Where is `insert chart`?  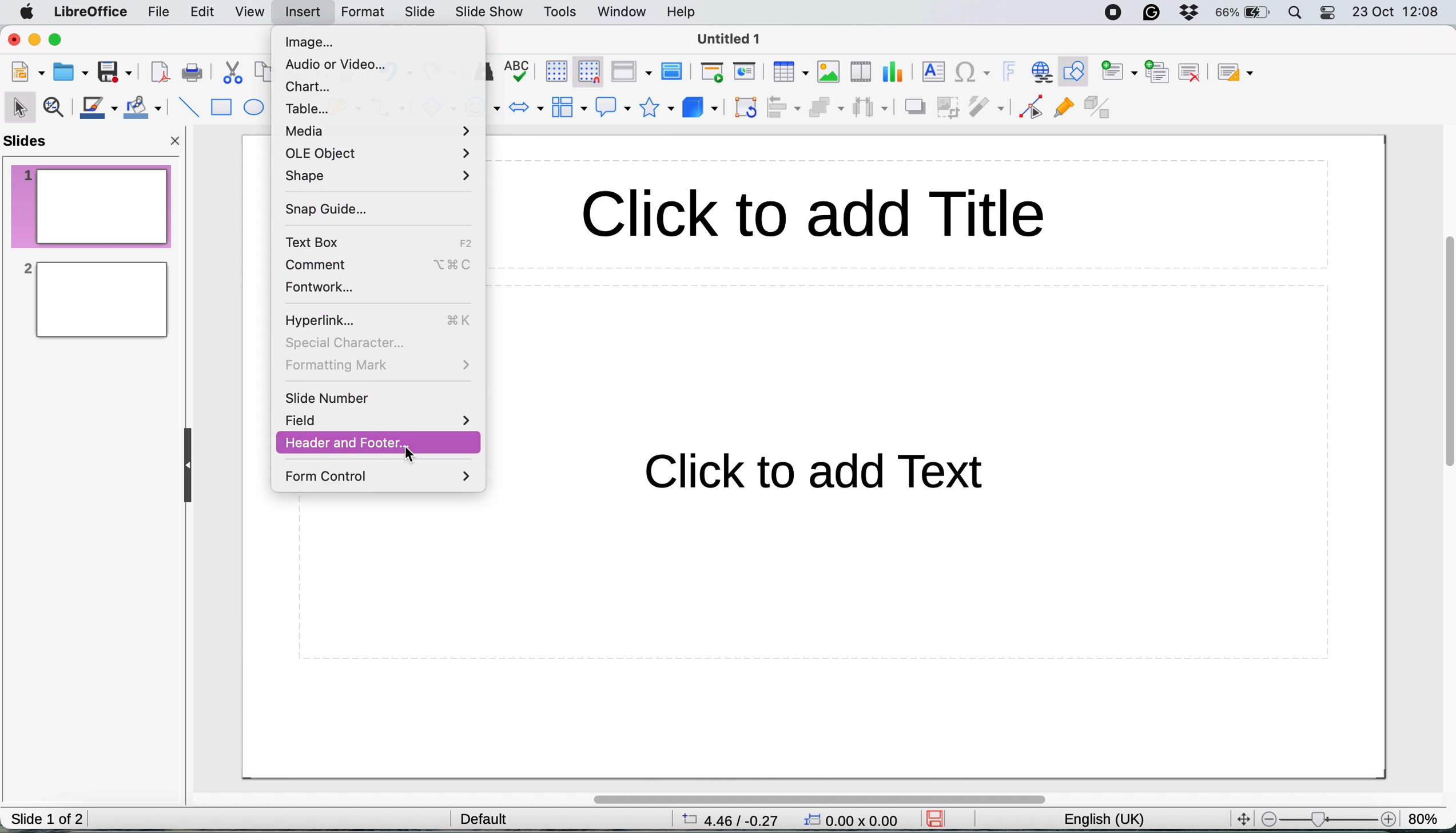 insert chart is located at coordinates (829, 71).